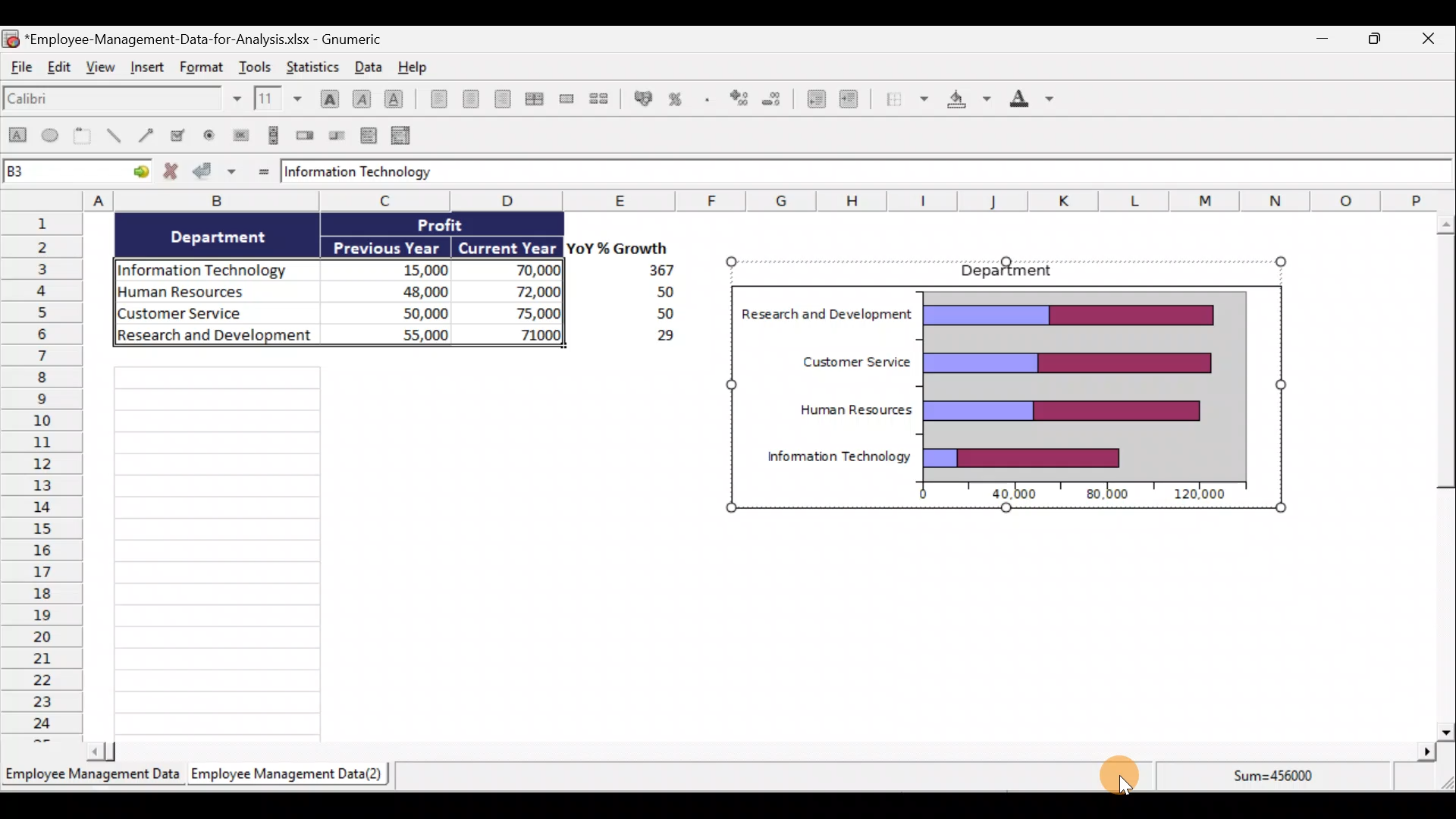  What do you see at coordinates (849, 102) in the screenshot?
I see `Increase indent and align contents to the right` at bounding box center [849, 102].